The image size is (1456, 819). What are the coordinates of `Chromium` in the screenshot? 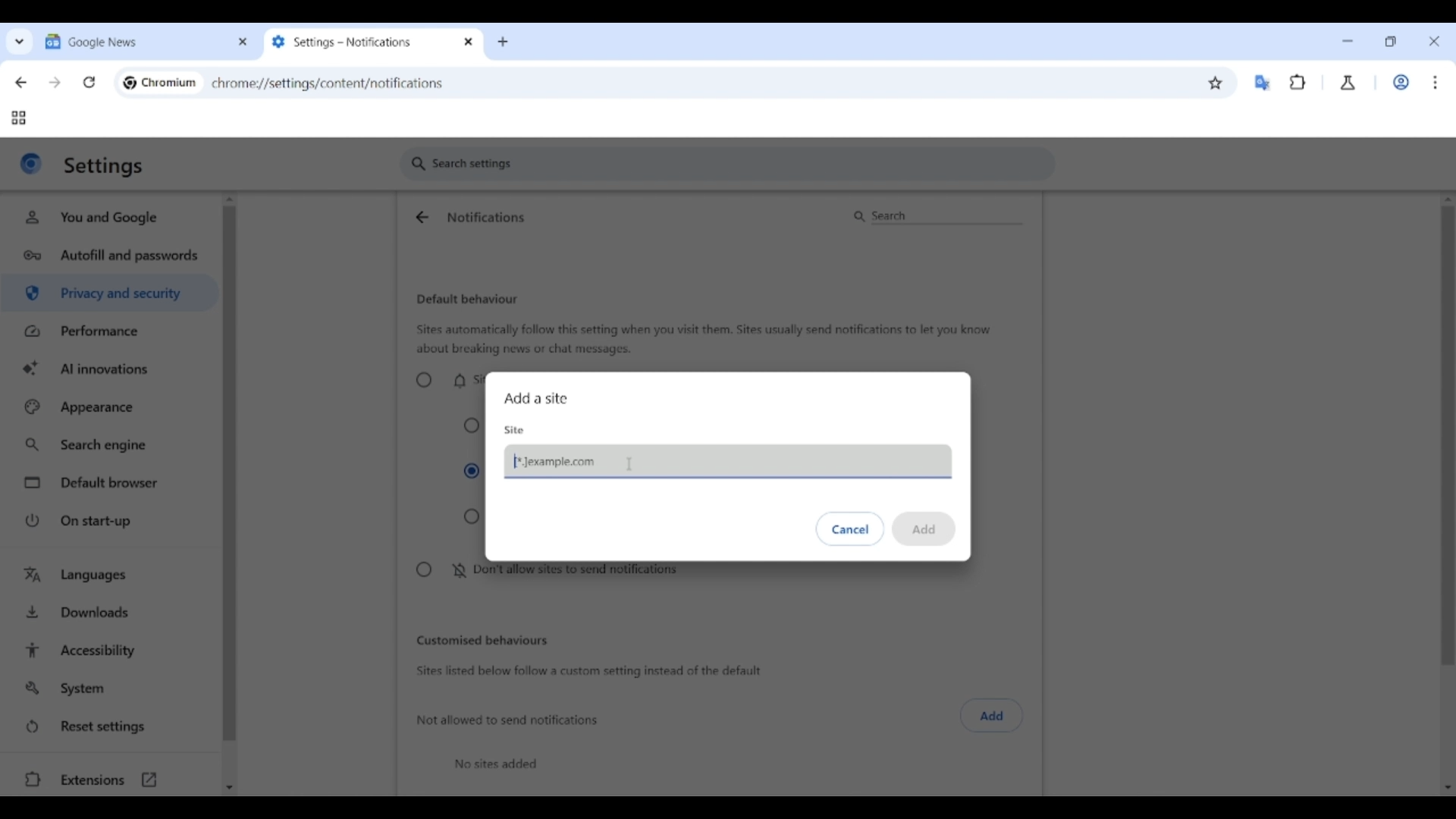 It's located at (169, 82).